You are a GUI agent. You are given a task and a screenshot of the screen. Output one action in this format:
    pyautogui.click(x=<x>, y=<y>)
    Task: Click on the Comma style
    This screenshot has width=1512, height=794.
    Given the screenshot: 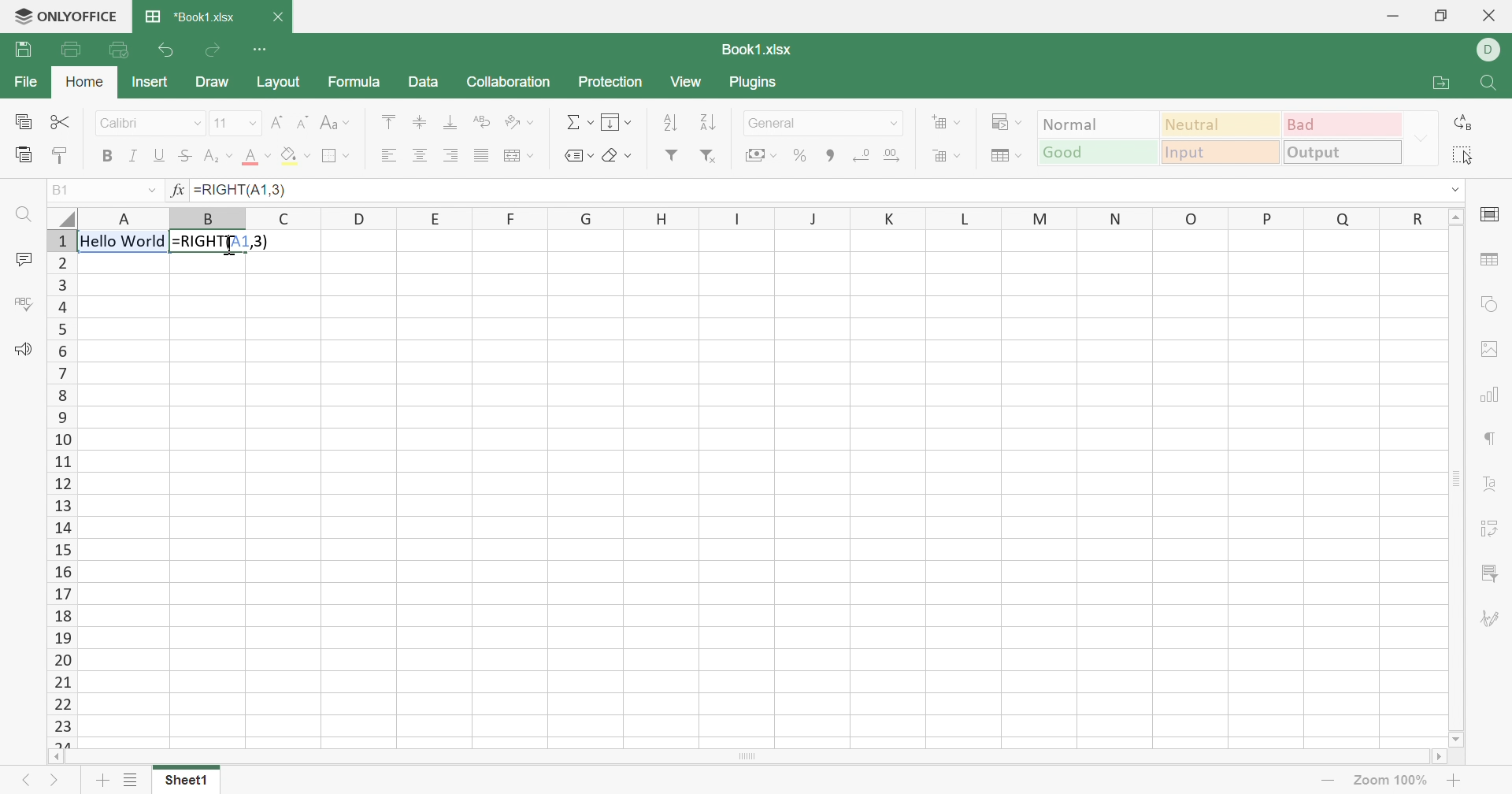 What is the action you would take?
    pyautogui.click(x=832, y=154)
    